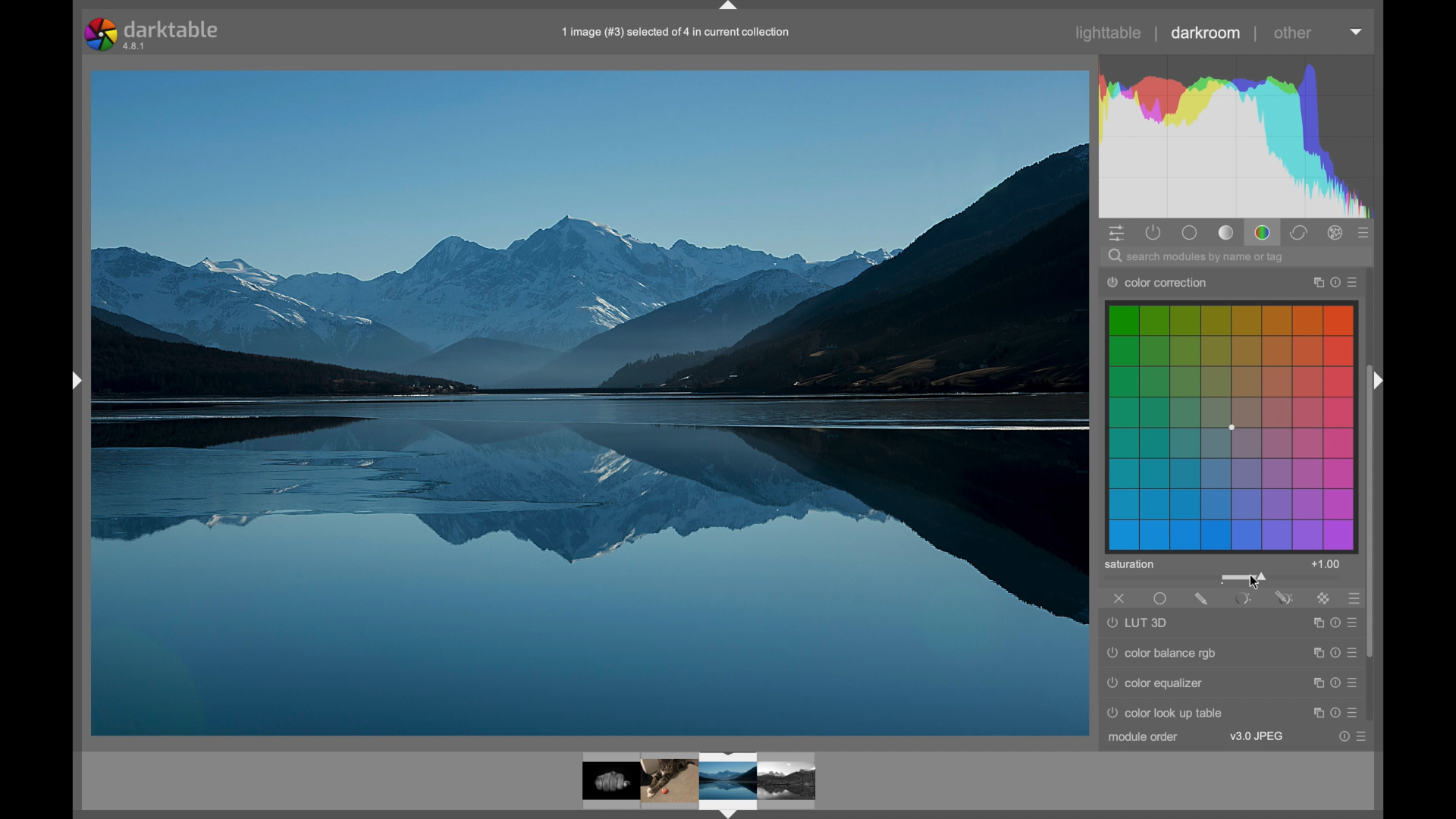 The height and width of the screenshot is (819, 1456). What do you see at coordinates (1245, 578) in the screenshot?
I see `slider` at bounding box center [1245, 578].